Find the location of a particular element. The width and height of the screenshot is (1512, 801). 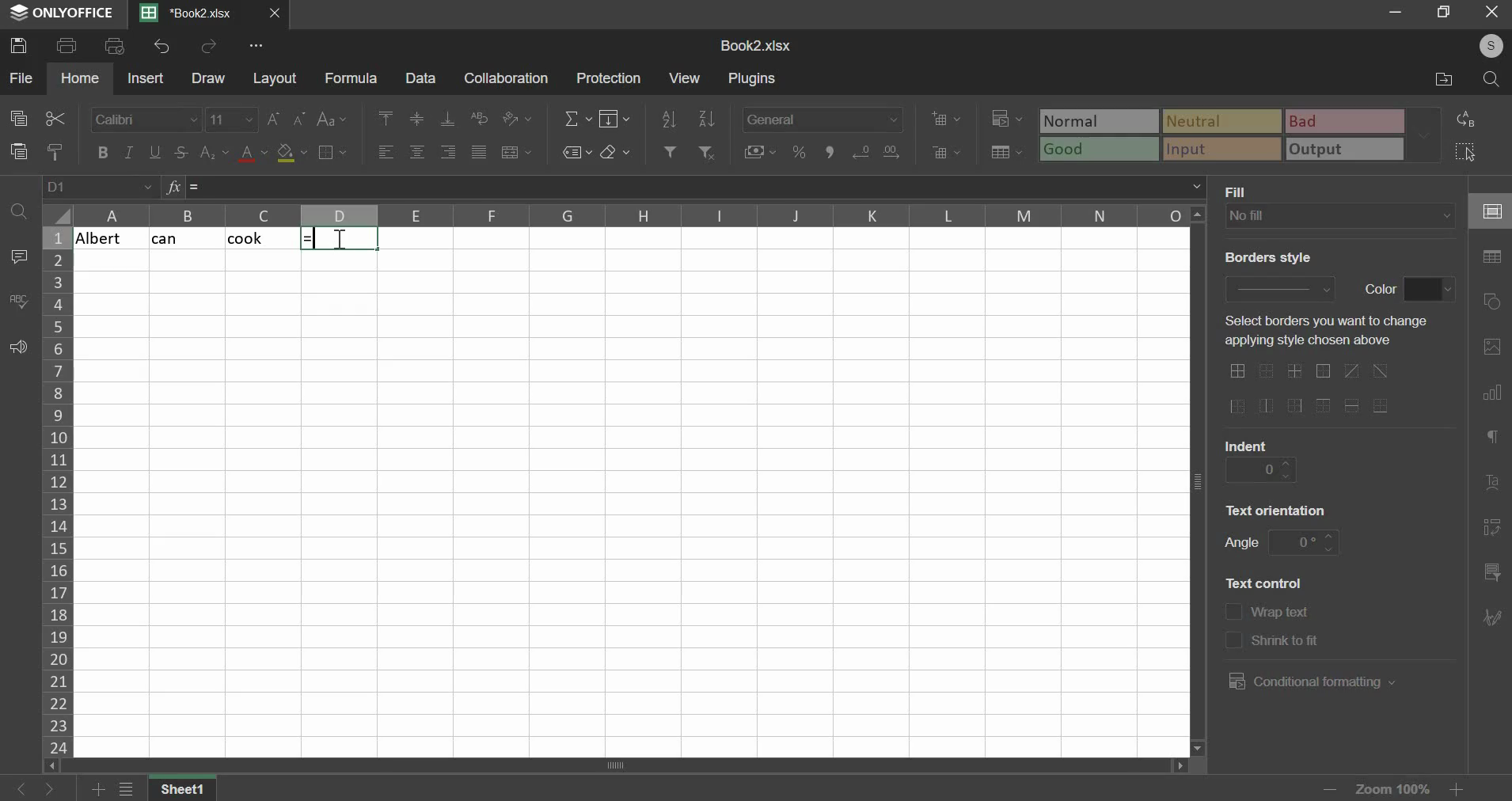

close is located at coordinates (279, 15).